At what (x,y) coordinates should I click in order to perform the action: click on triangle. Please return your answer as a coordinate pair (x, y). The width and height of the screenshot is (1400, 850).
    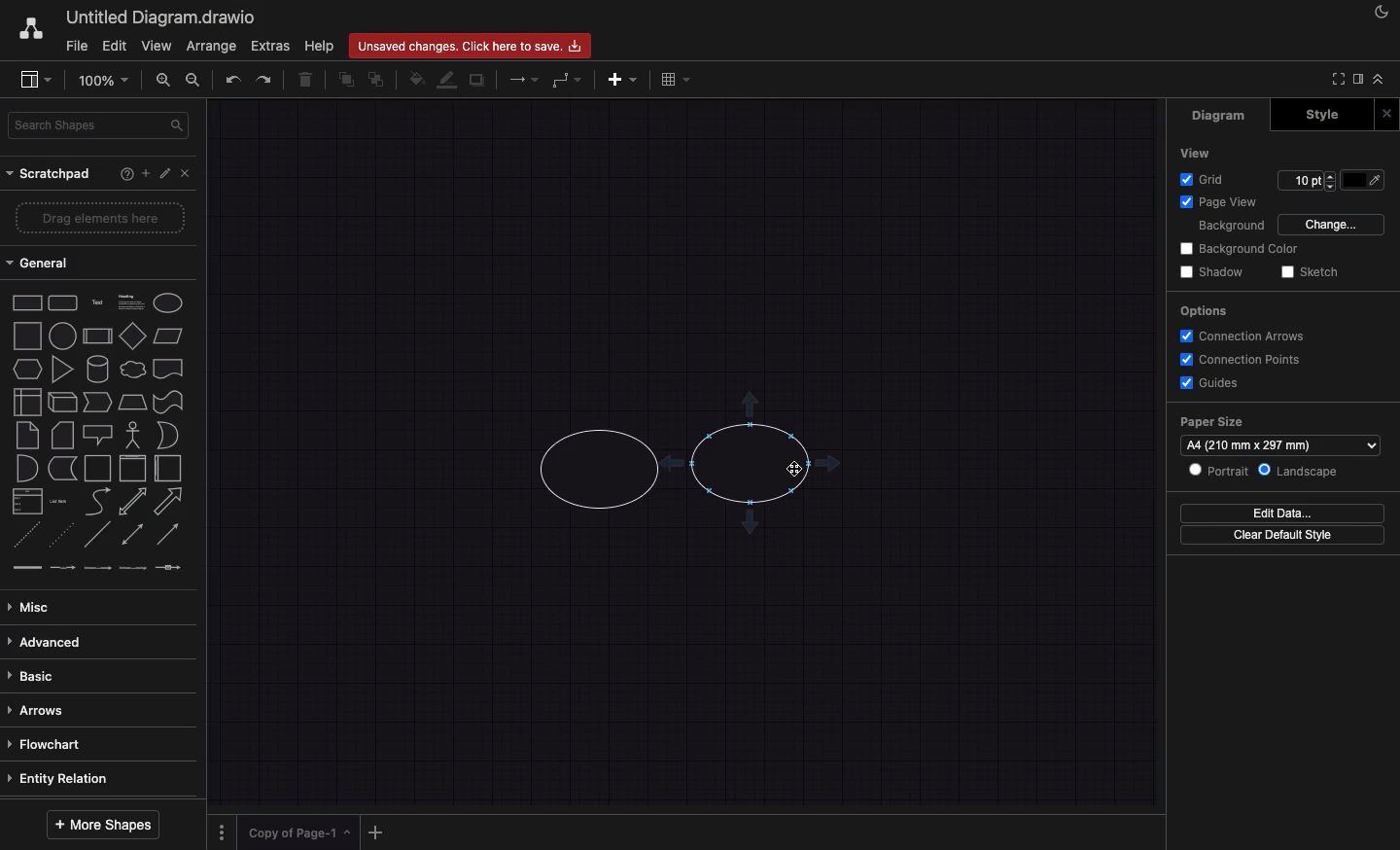
    Looking at the image, I should click on (62, 370).